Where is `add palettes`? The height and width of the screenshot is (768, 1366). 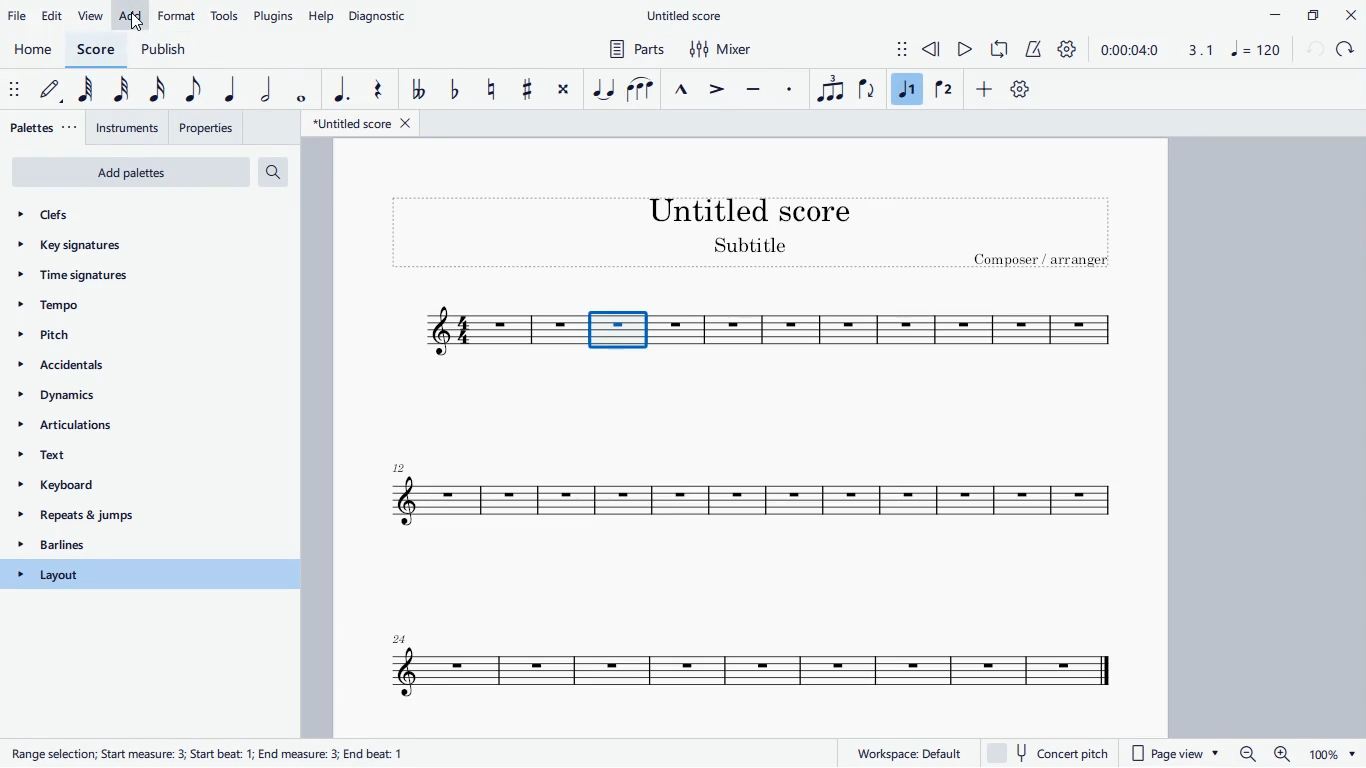
add palettes is located at coordinates (131, 174).